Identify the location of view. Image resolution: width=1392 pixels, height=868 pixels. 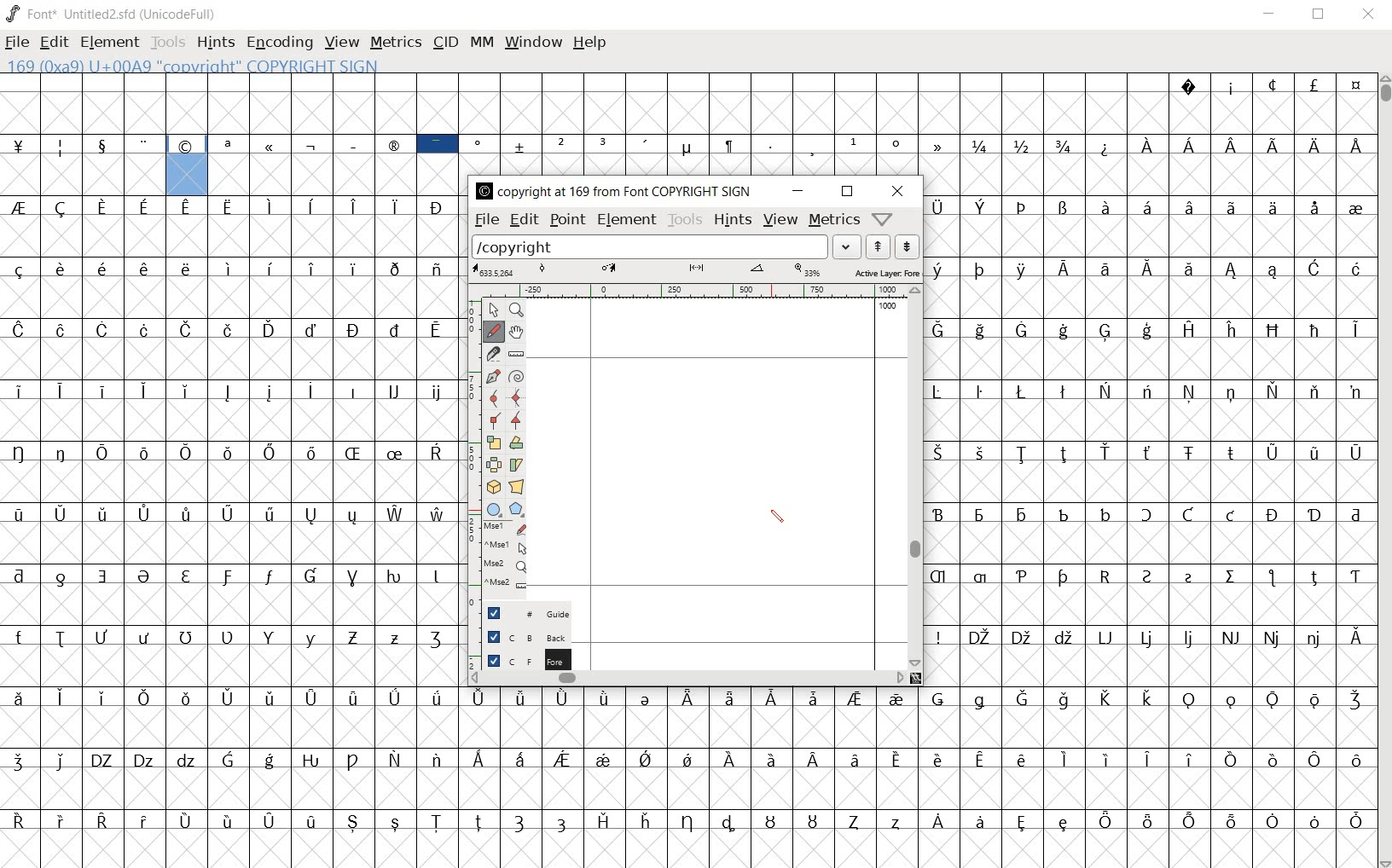
(781, 222).